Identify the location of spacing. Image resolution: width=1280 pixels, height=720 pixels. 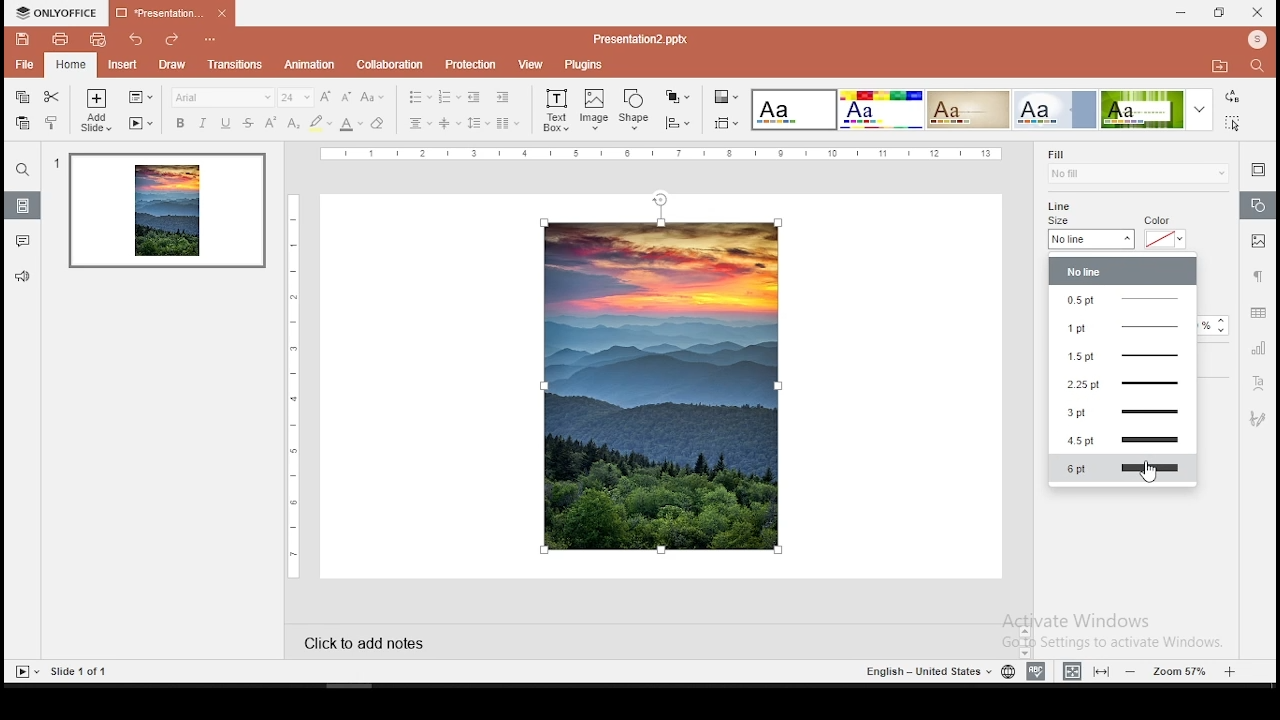
(479, 123).